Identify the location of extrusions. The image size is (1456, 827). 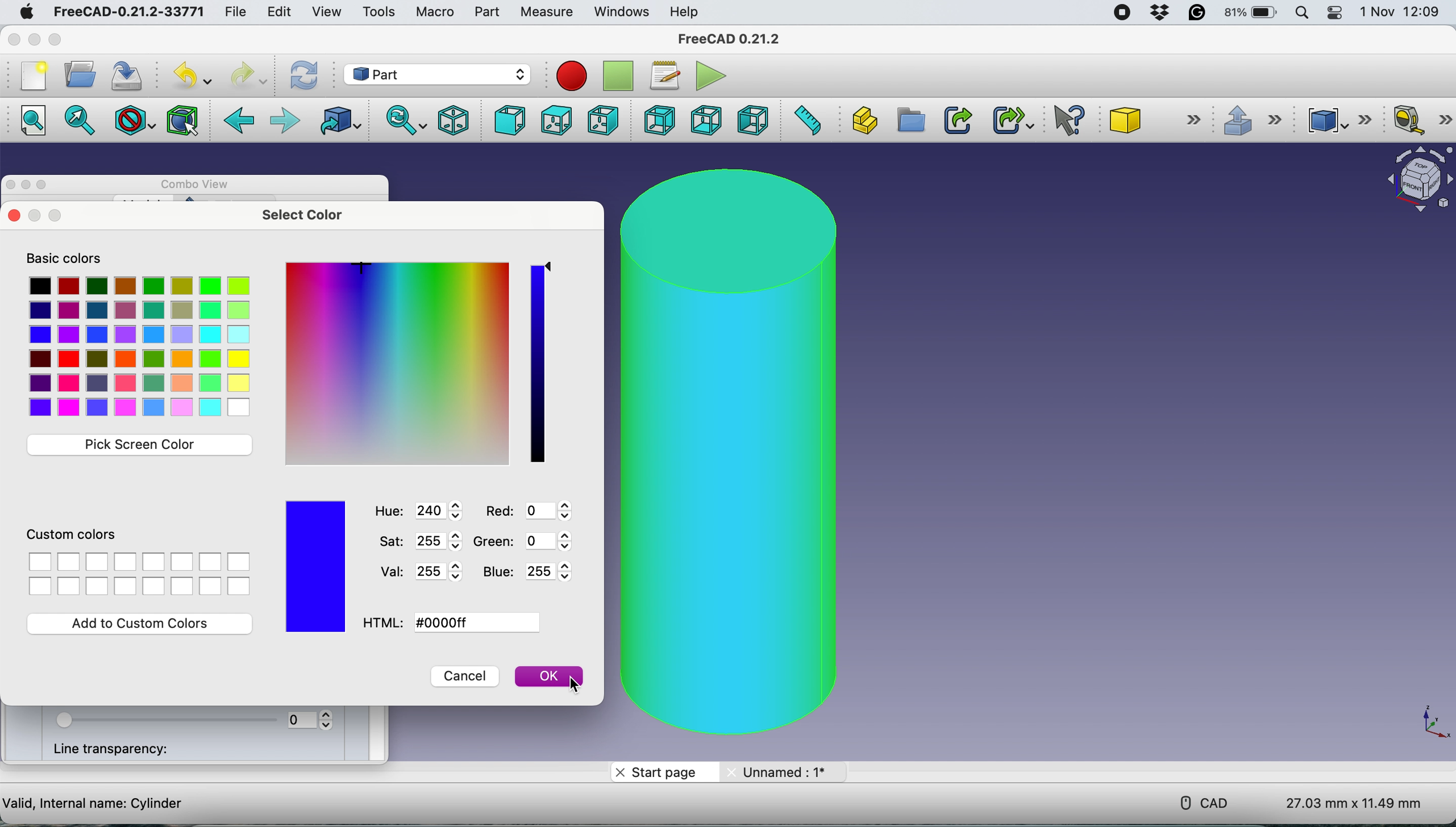
(1256, 122).